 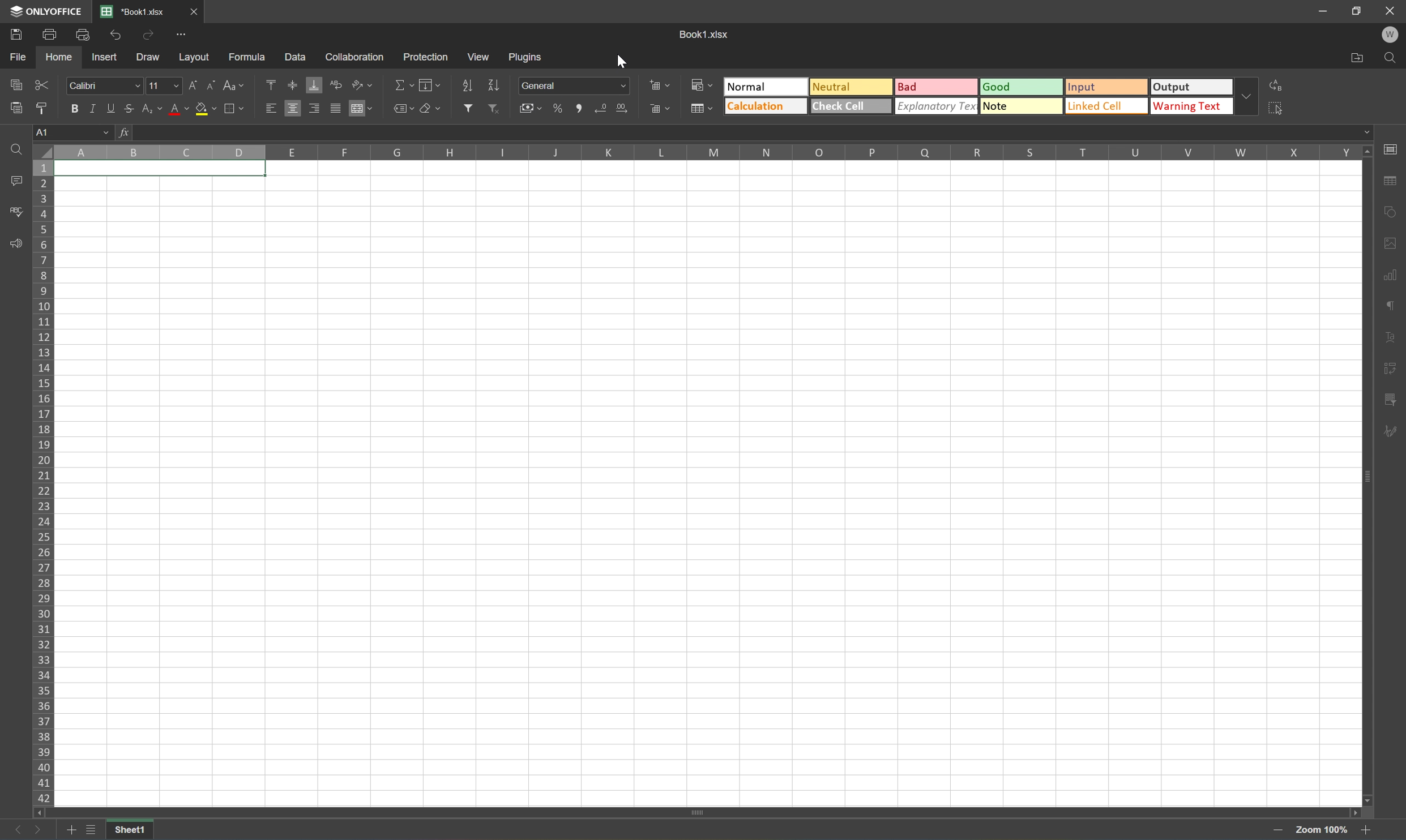 What do you see at coordinates (1280, 830) in the screenshot?
I see `Zoom in` at bounding box center [1280, 830].